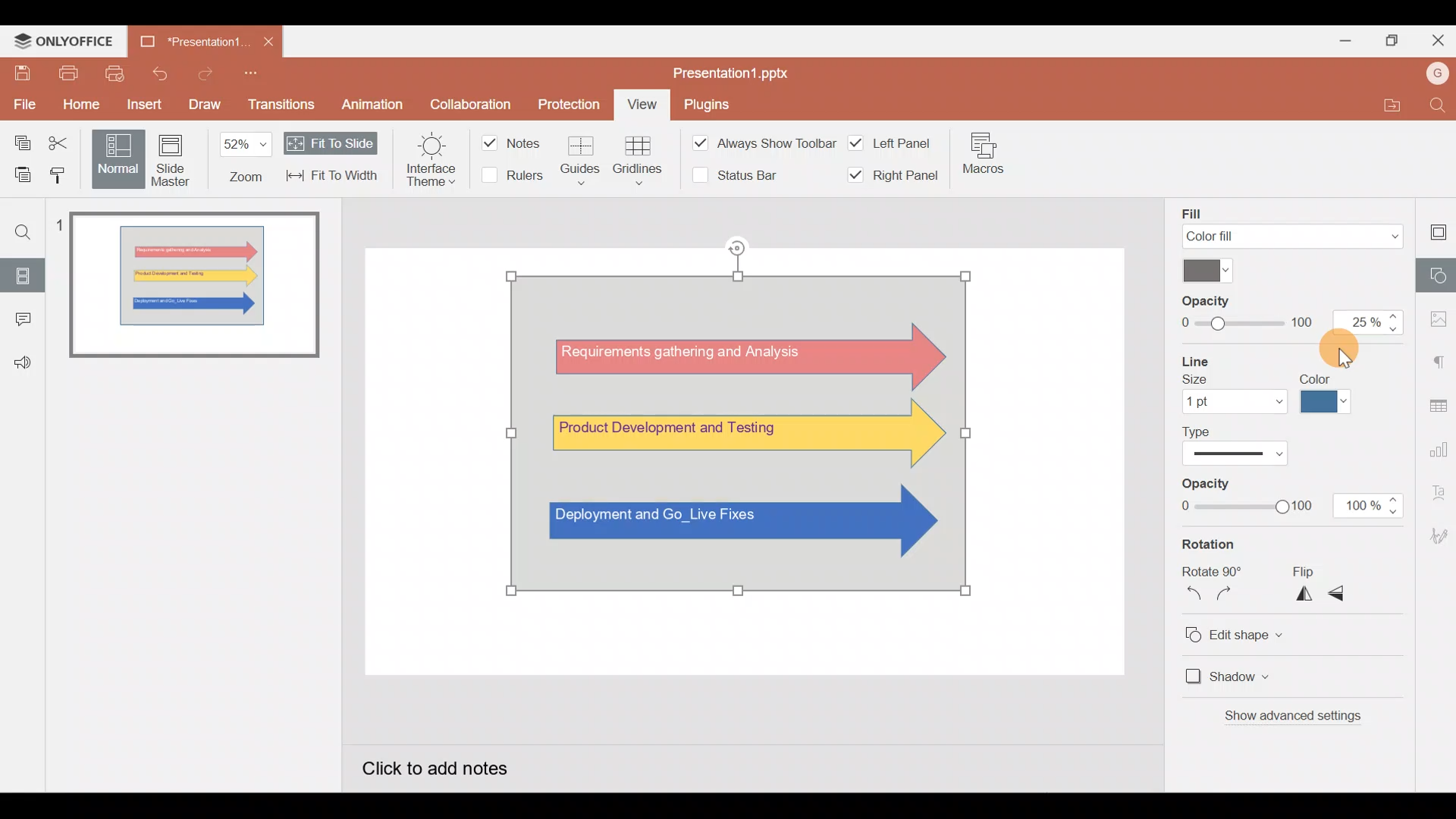 The width and height of the screenshot is (1456, 819). I want to click on Account name, so click(1433, 75).